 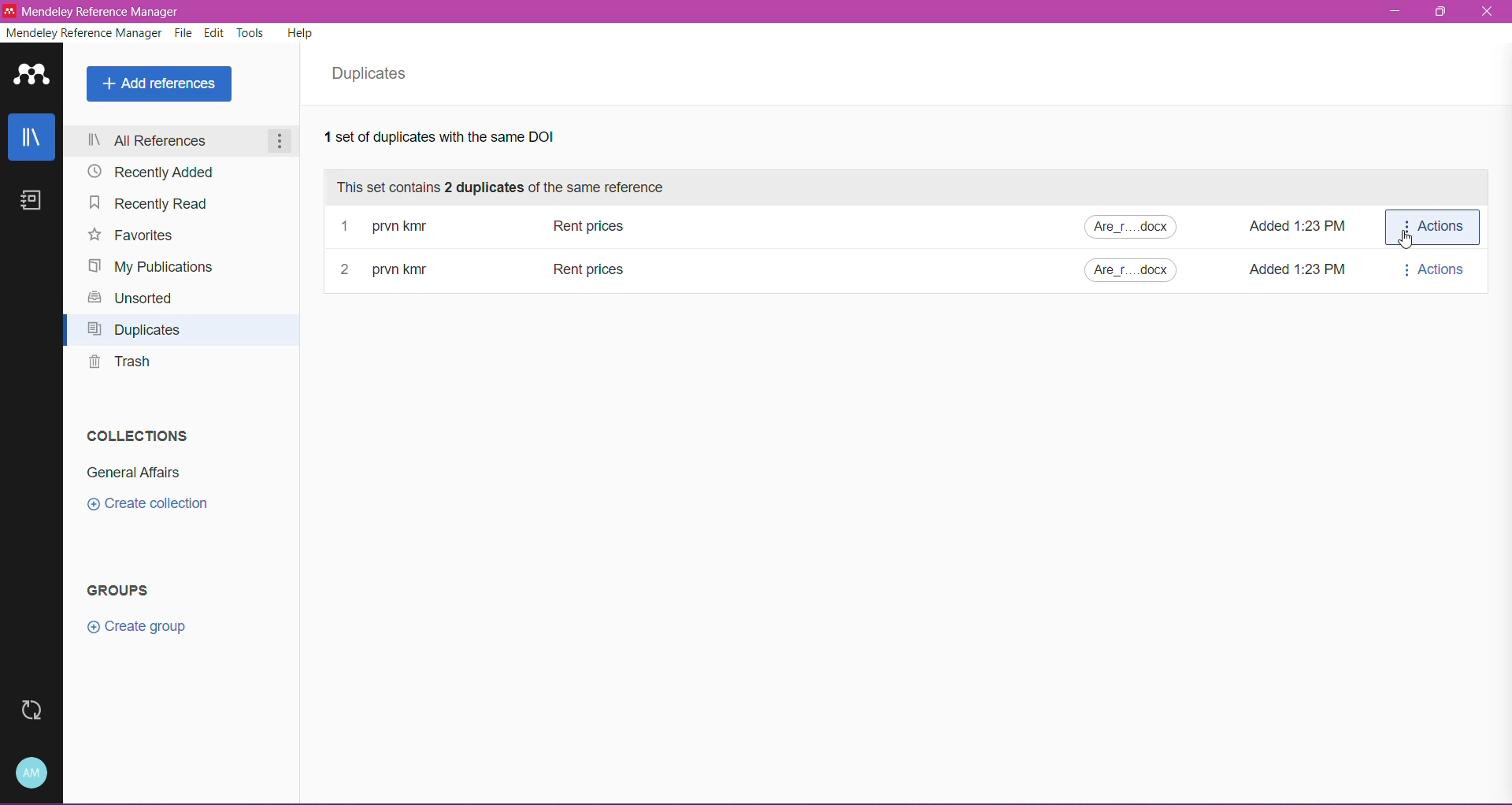 I want to click on added time, so click(x=1295, y=269).